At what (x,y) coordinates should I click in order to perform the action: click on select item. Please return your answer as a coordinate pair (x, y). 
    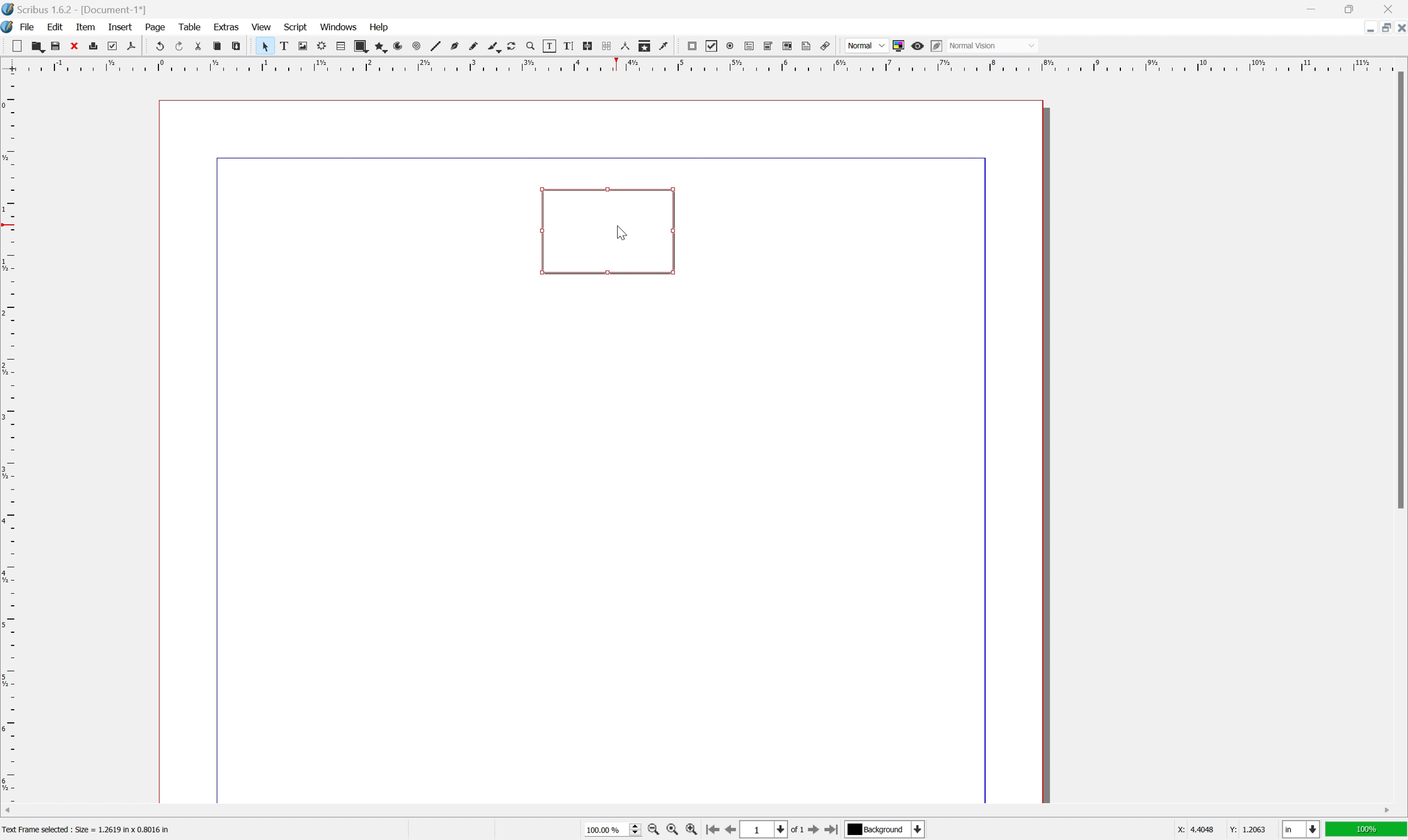
    Looking at the image, I should click on (265, 46).